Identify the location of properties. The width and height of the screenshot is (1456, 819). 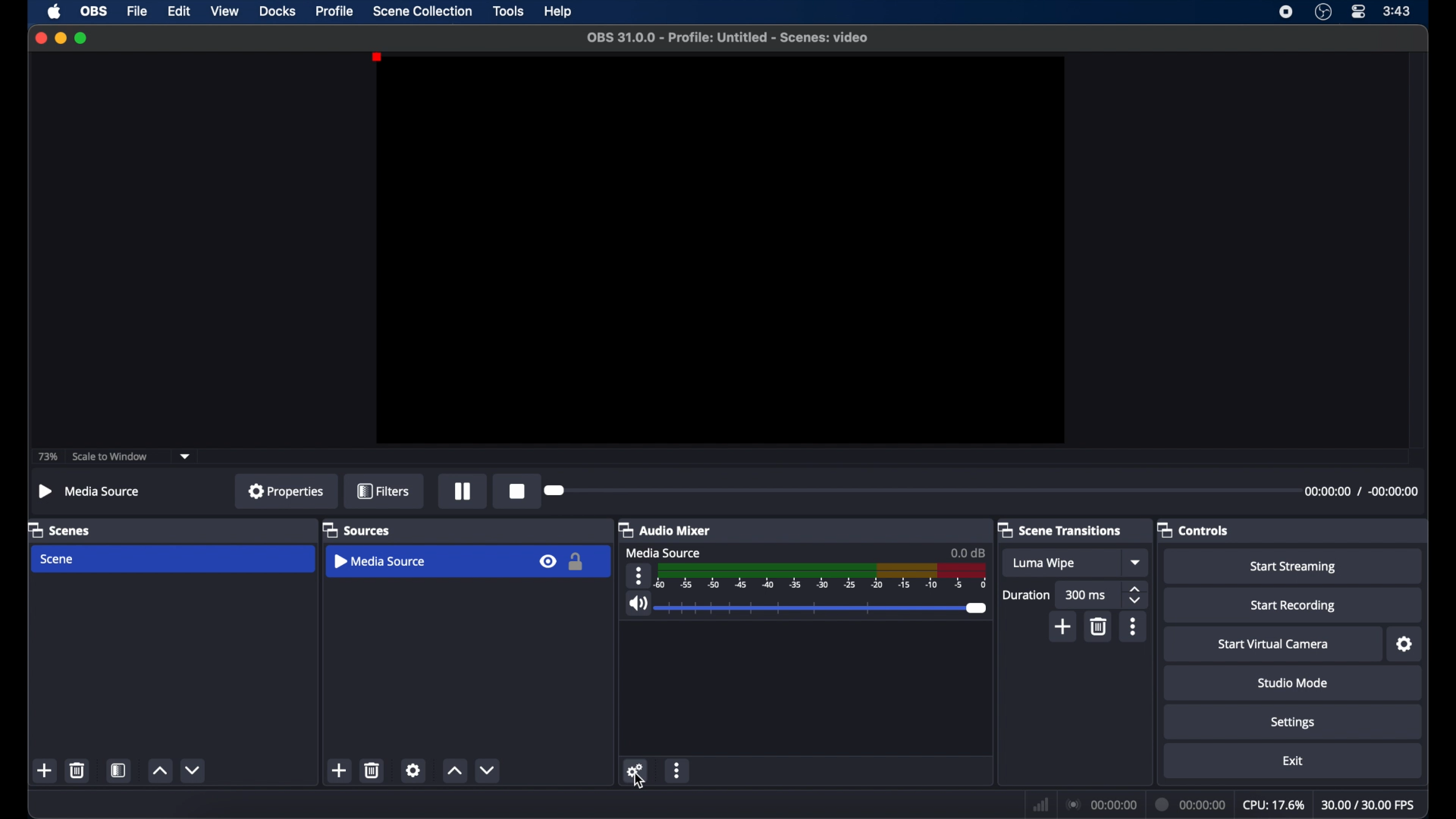
(287, 491).